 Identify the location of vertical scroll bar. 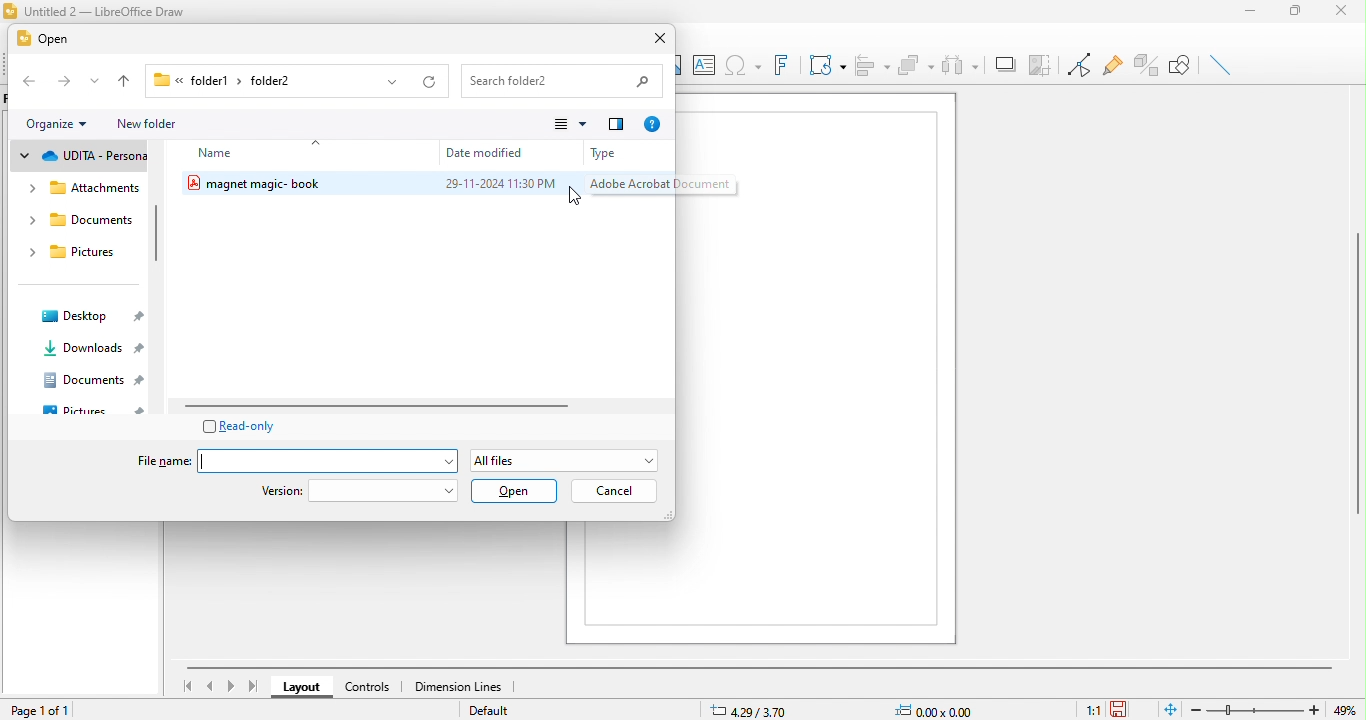
(1357, 377).